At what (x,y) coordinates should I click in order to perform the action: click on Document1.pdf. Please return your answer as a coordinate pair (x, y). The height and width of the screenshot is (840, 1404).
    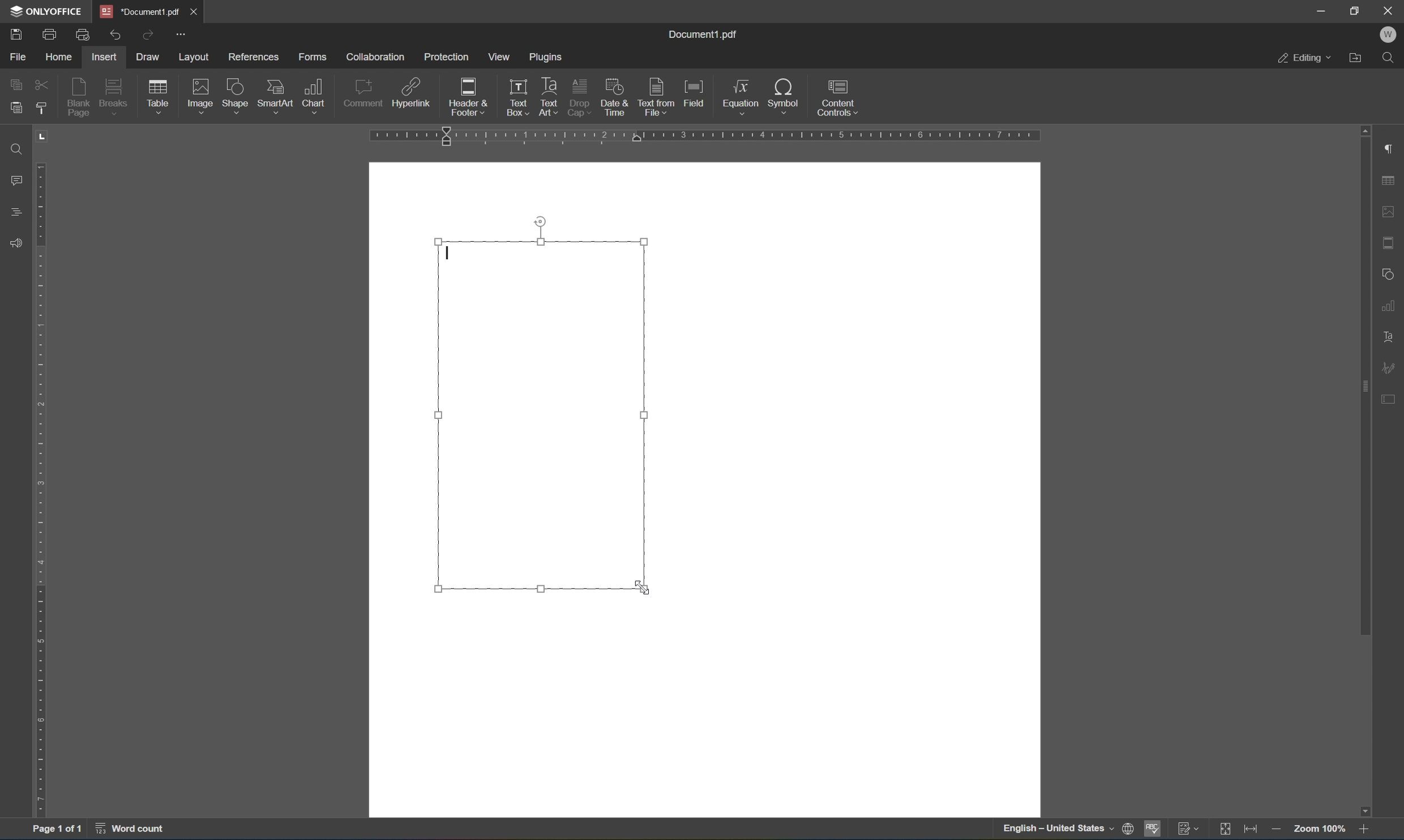
    Looking at the image, I should click on (138, 11).